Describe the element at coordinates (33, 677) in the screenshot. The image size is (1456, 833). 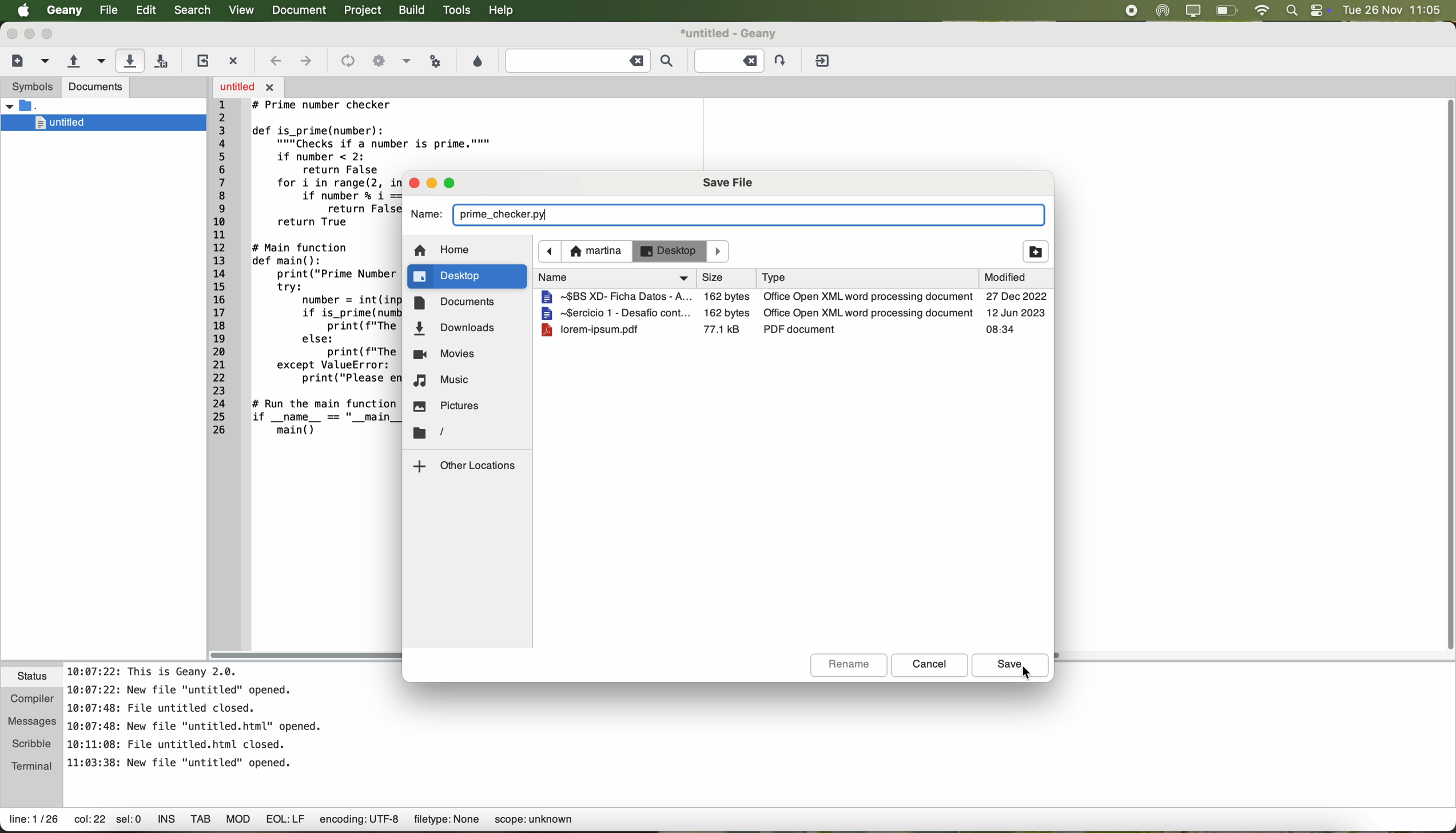
I see `status` at that location.